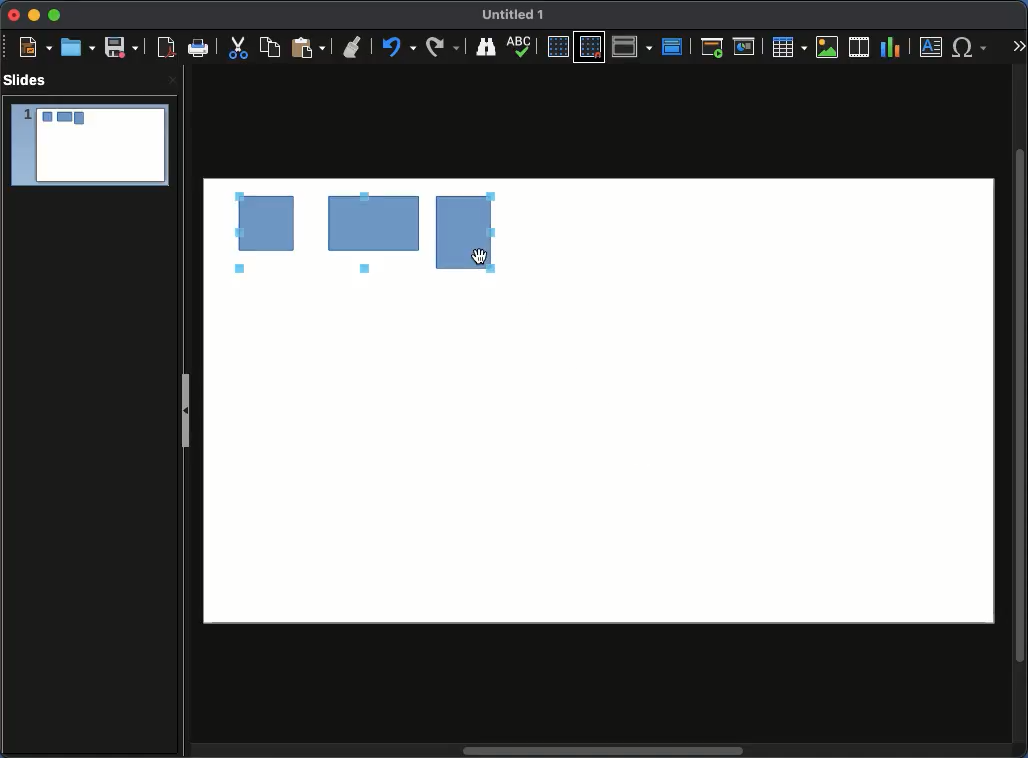 This screenshot has width=1028, height=758. Describe the element at coordinates (711, 49) in the screenshot. I see `Start from first slide` at that location.